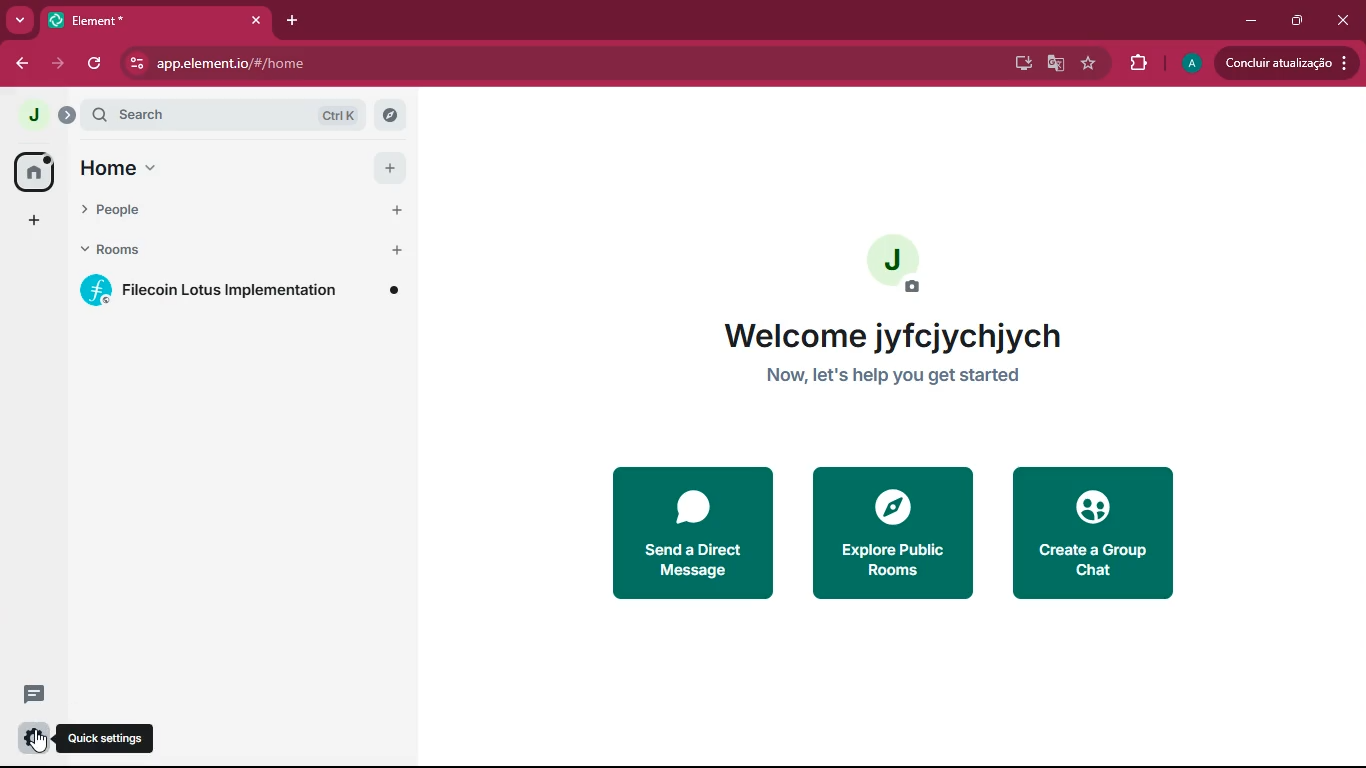 The width and height of the screenshot is (1366, 768). What do you see at coordinates (299, 19) in the screenshot?
I see `add tab` at bounding box center [299, 19].